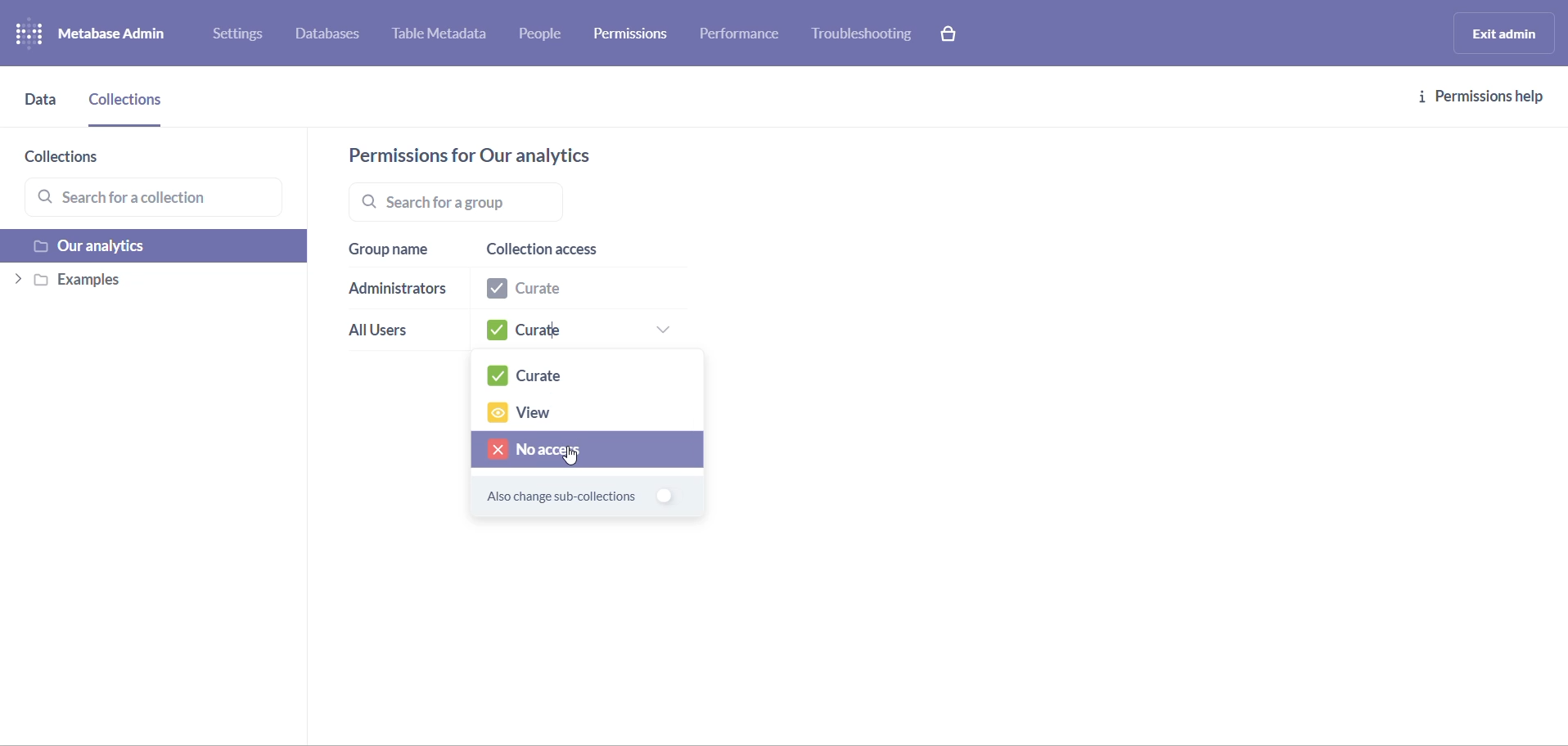  What do you see at coordinates (488, 155) in the screenshot?
I see `permission heading` at bounding box center [488, 155].